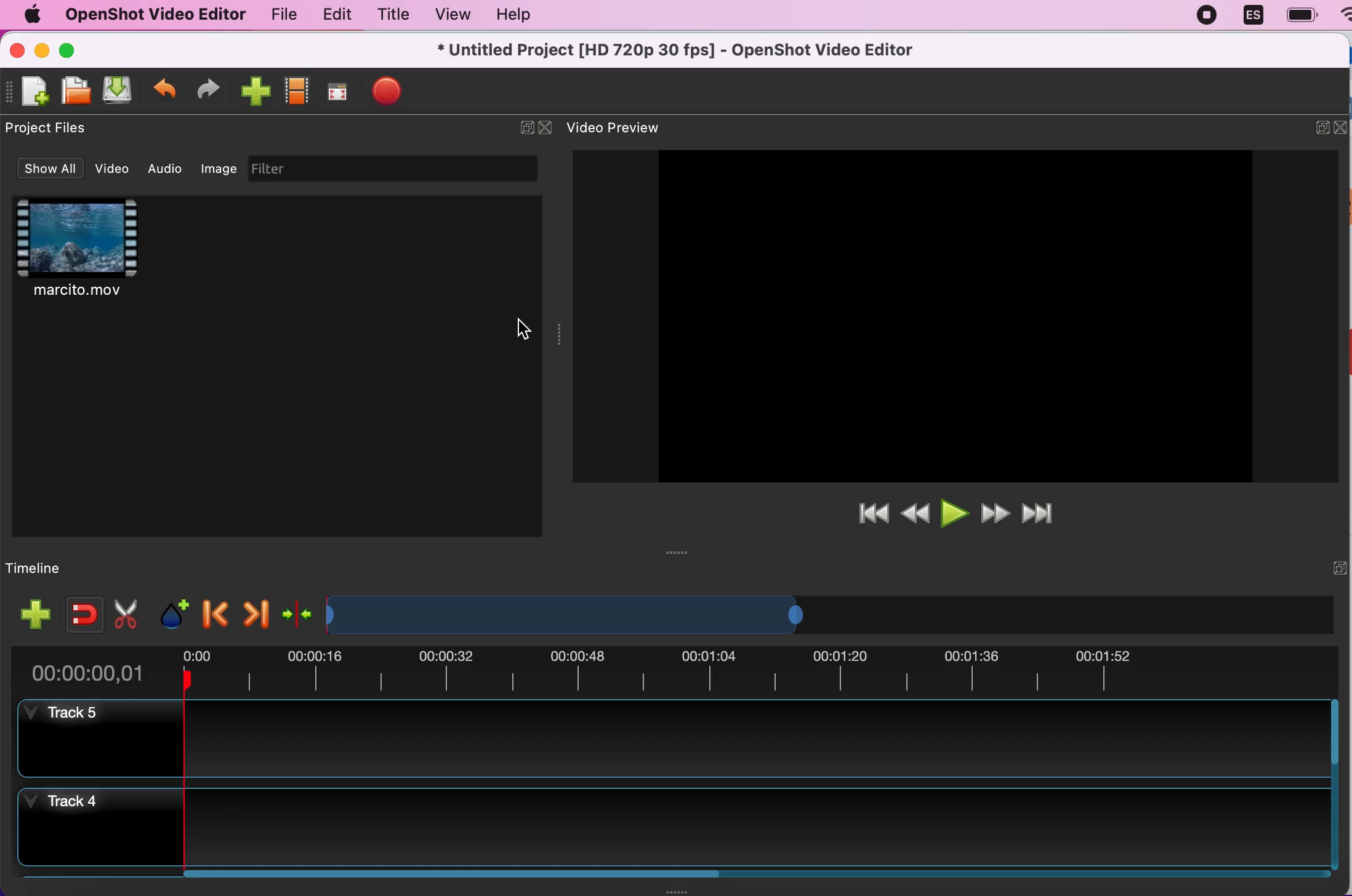 The width and height of the screenshot is (1352, 896). What do you see at coordinates (395, 166) in the screenshot?
I see `filter` at bounding box center [395, 166].